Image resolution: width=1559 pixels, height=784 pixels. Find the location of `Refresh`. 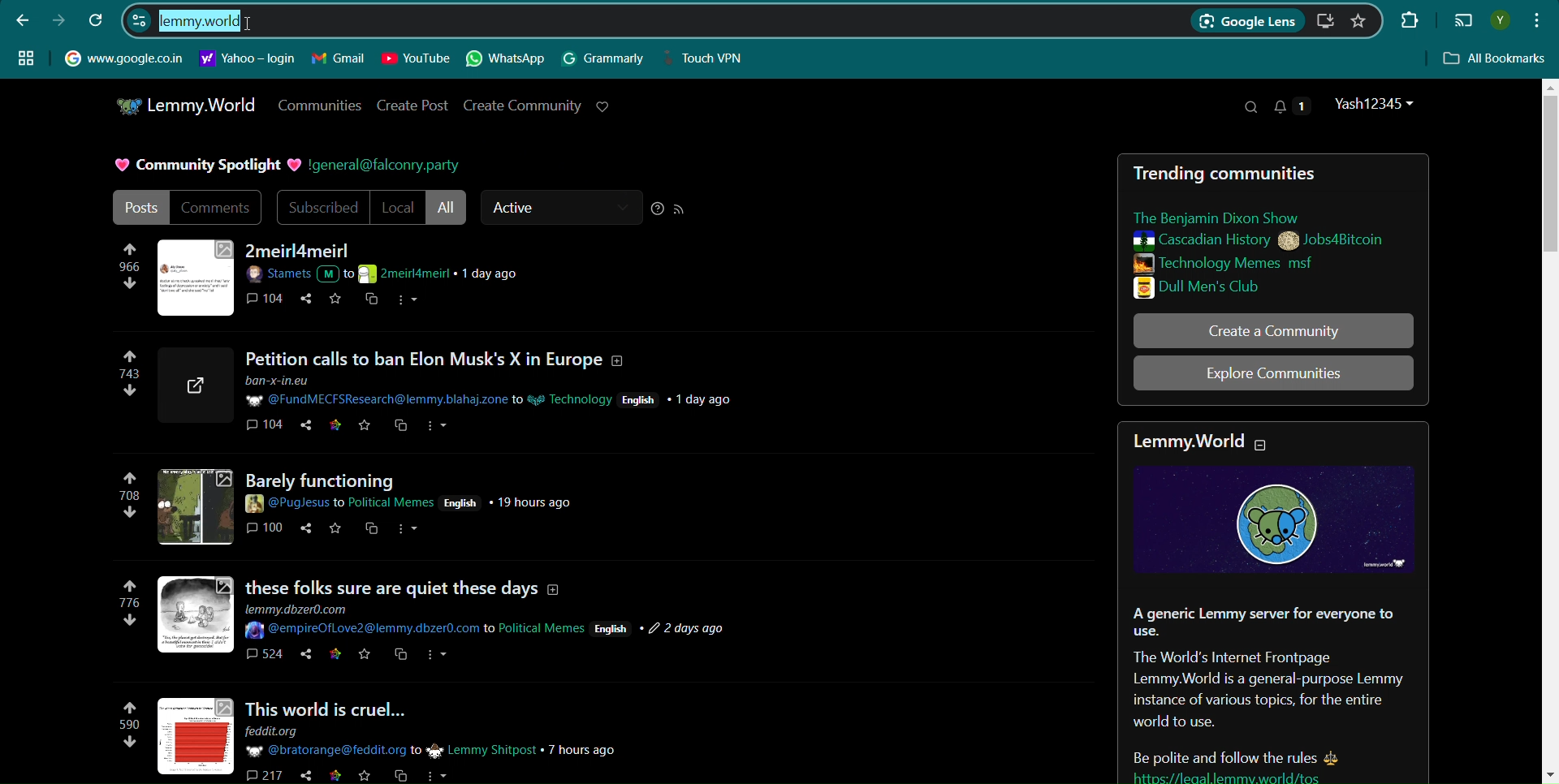

Refresh is located at coordinates (97, 19).